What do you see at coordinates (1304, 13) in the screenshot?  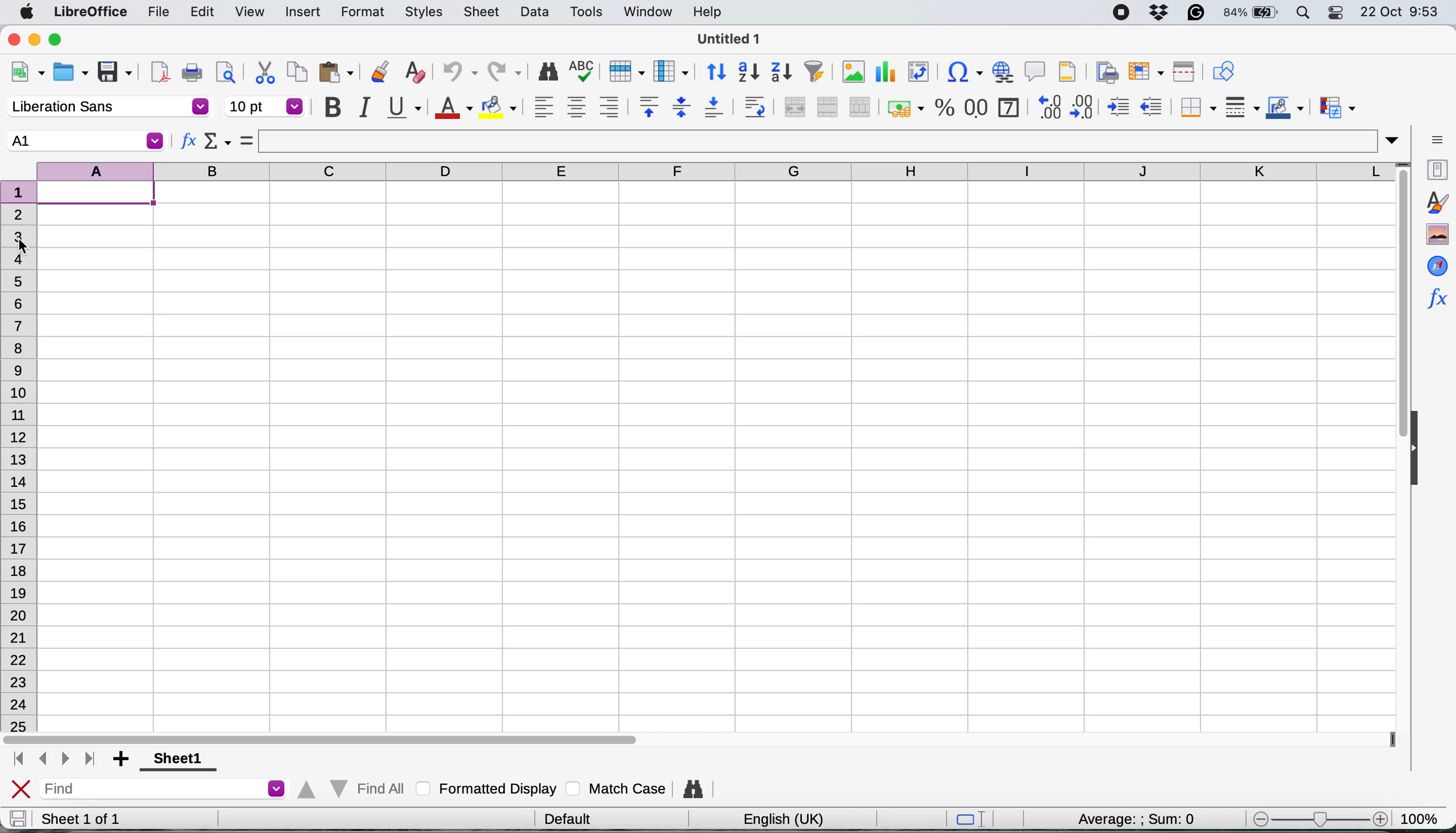 I see `spotlight search` at bounding box center [1304, 13].